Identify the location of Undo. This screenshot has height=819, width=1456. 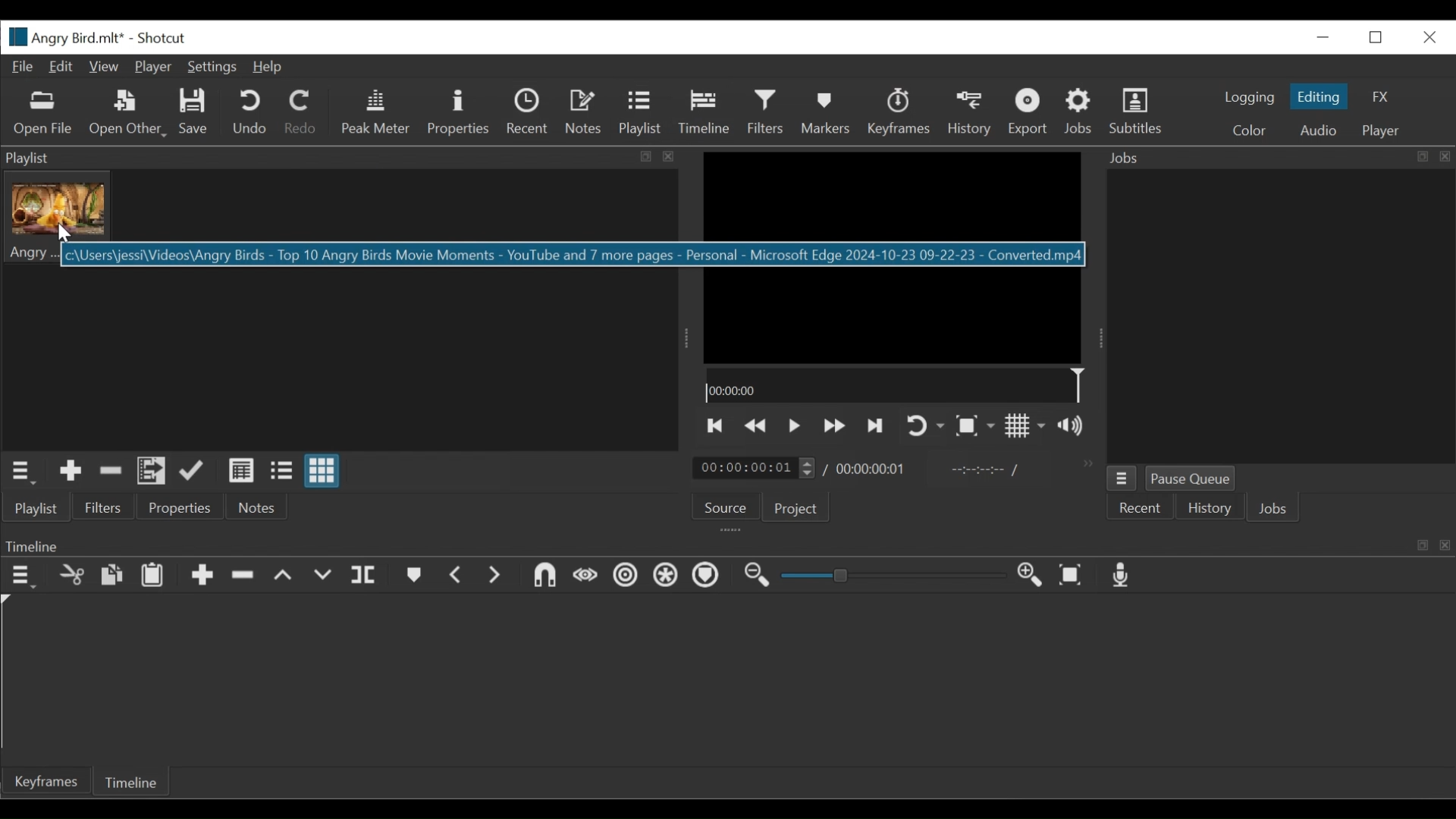
(251, 113).